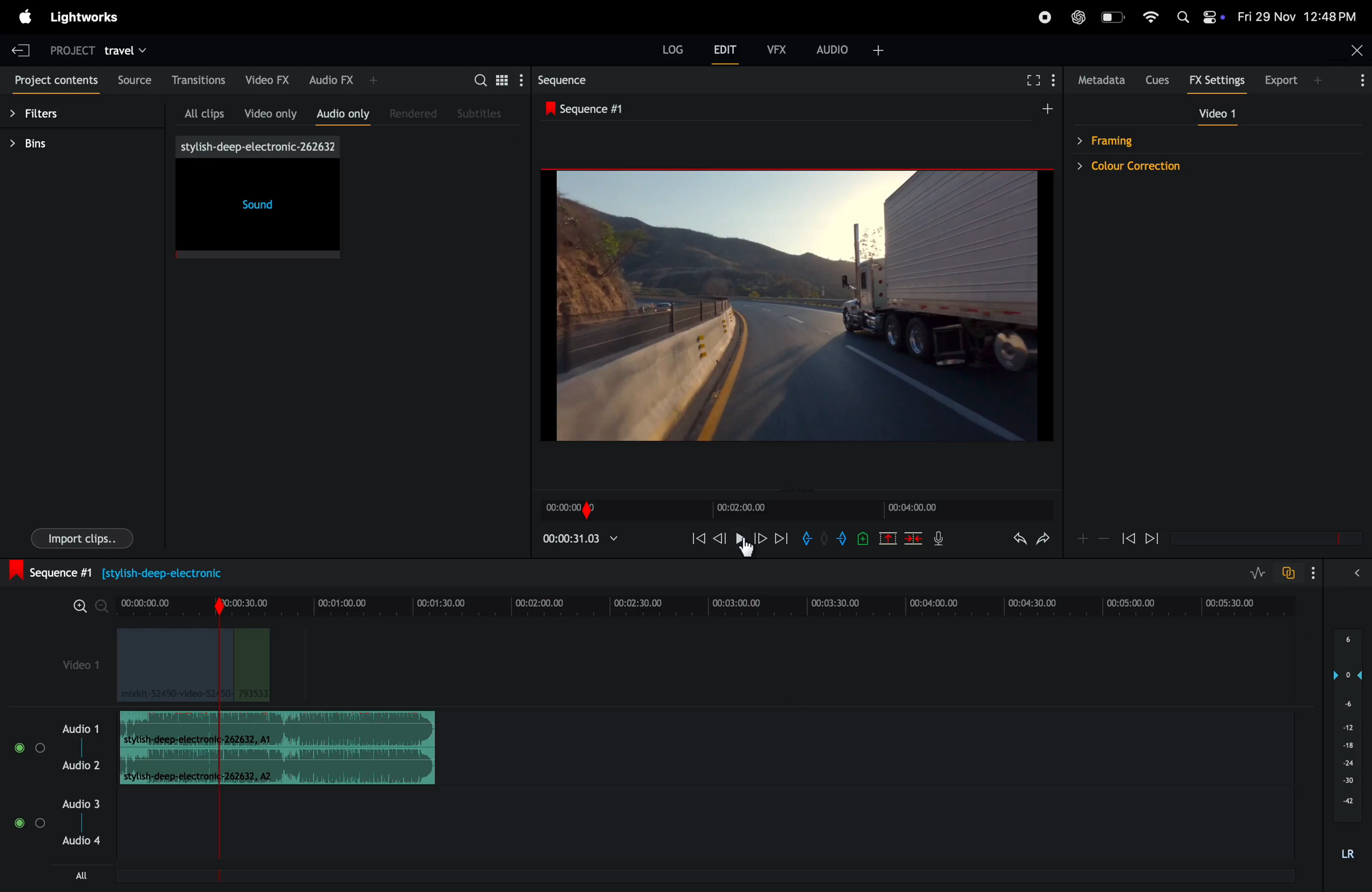 Image resolution: width=1372 pixels, height=892 pixels. I want to click on add, so click(1039, 109).